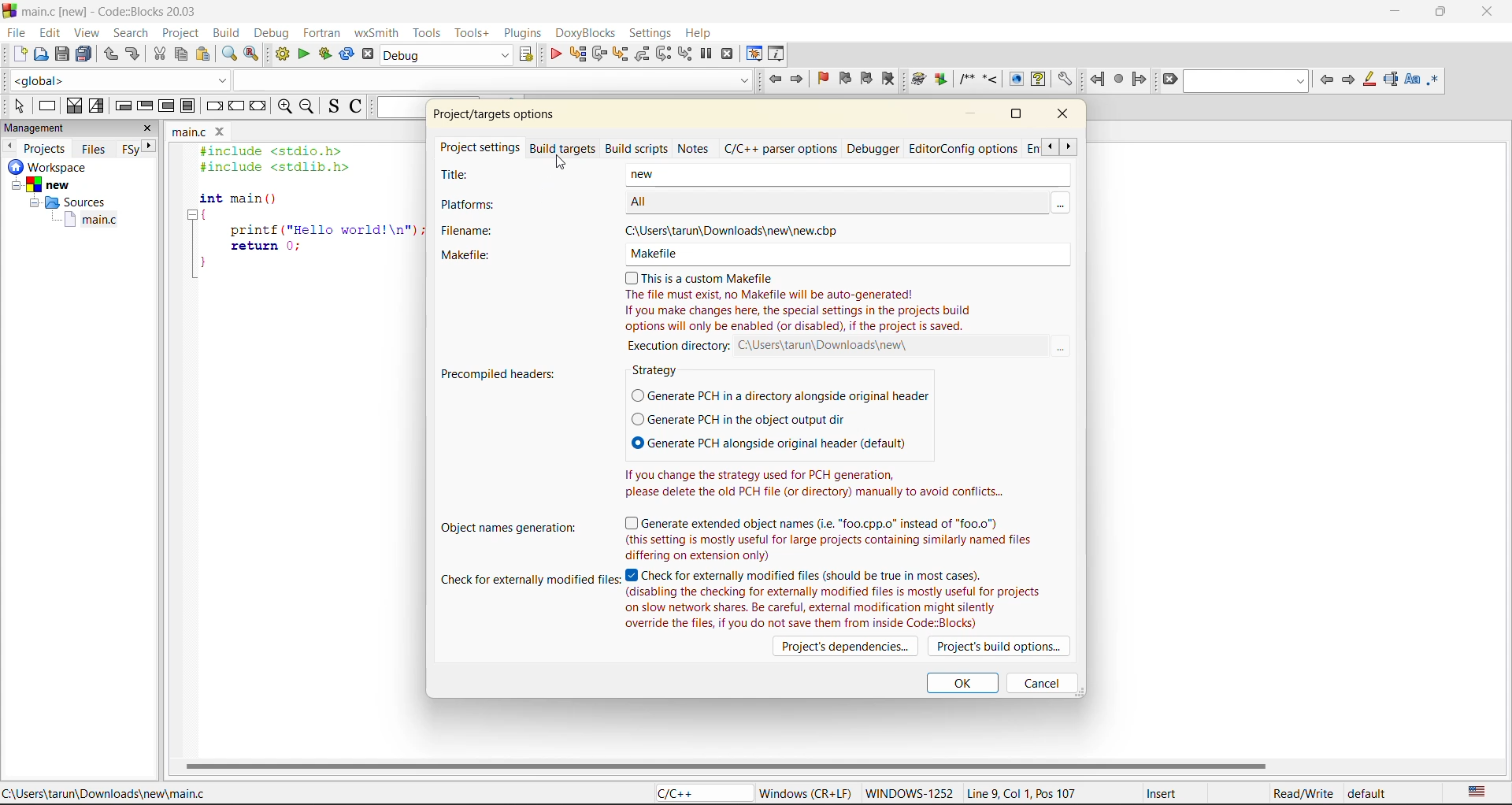  What do you see at coordinates (112, 56) in the screenshot?
I see `undo` at bounding box center [112, 56].